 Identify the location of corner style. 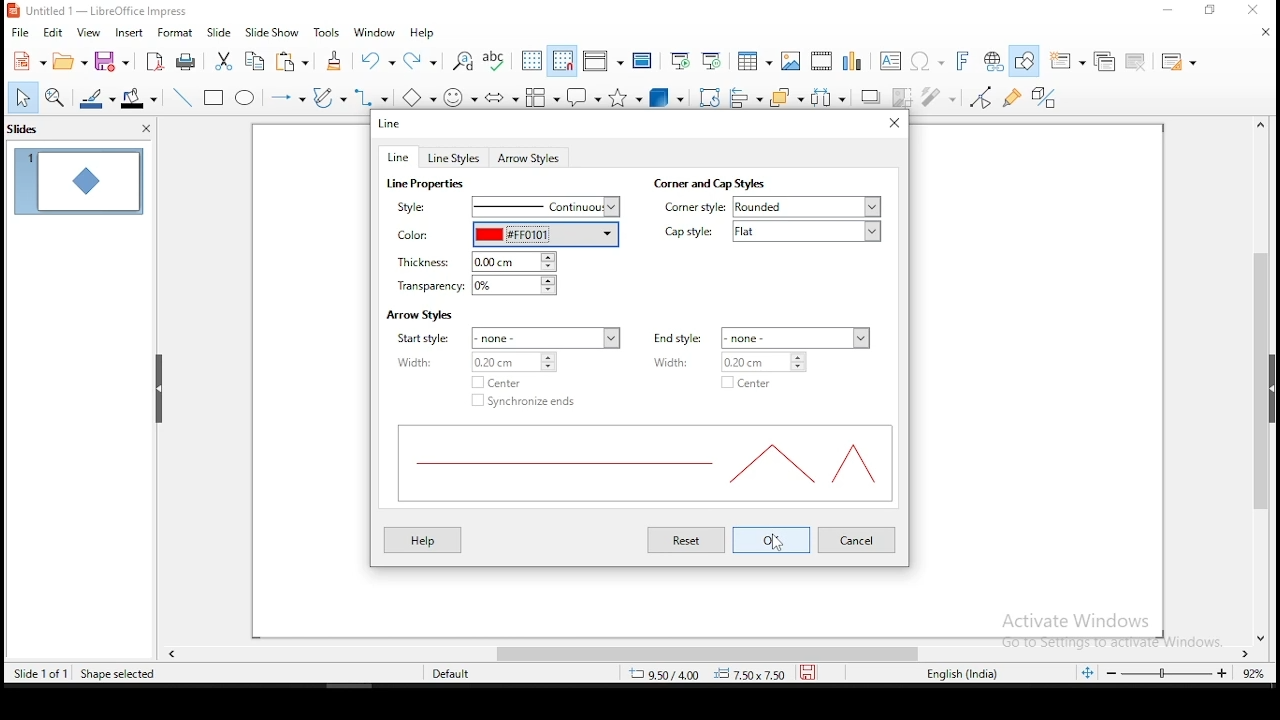
(694, 208).